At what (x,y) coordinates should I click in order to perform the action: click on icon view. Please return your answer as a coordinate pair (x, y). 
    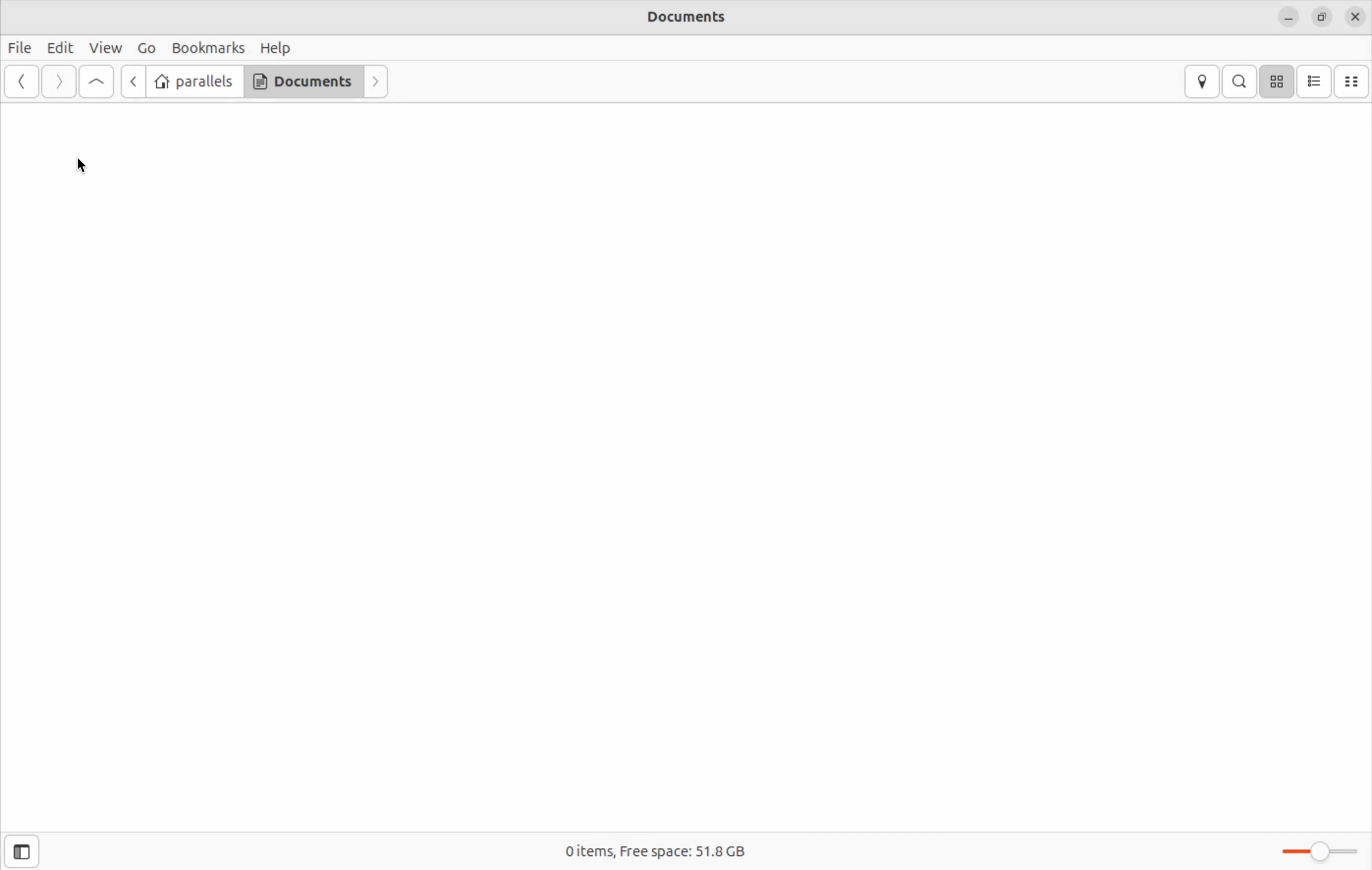
    Looking at the image, I should click on (1279, 81).